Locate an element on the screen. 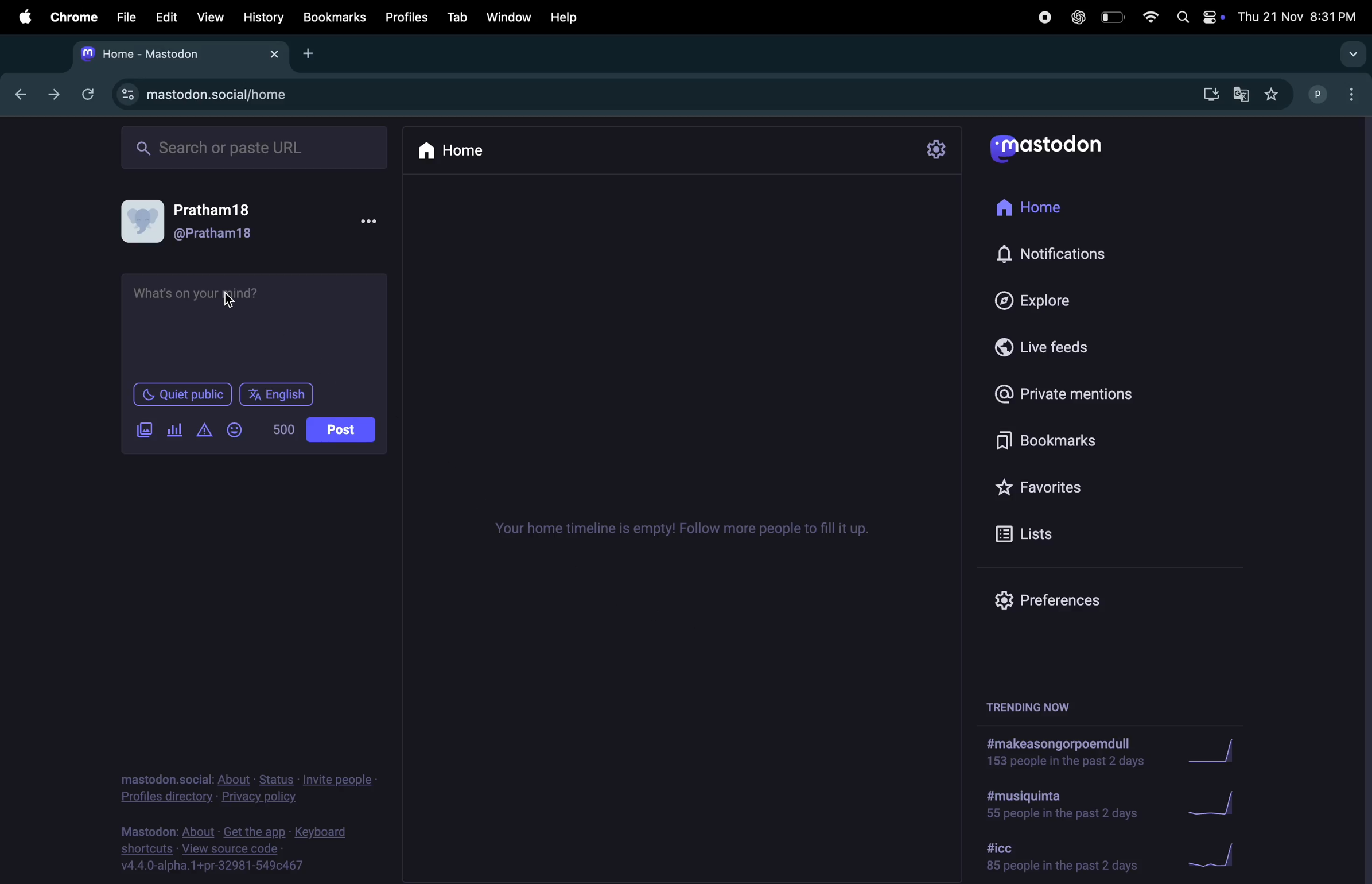 This screenshot has height=884, width=1372. user is located at coordinates (216, 234).